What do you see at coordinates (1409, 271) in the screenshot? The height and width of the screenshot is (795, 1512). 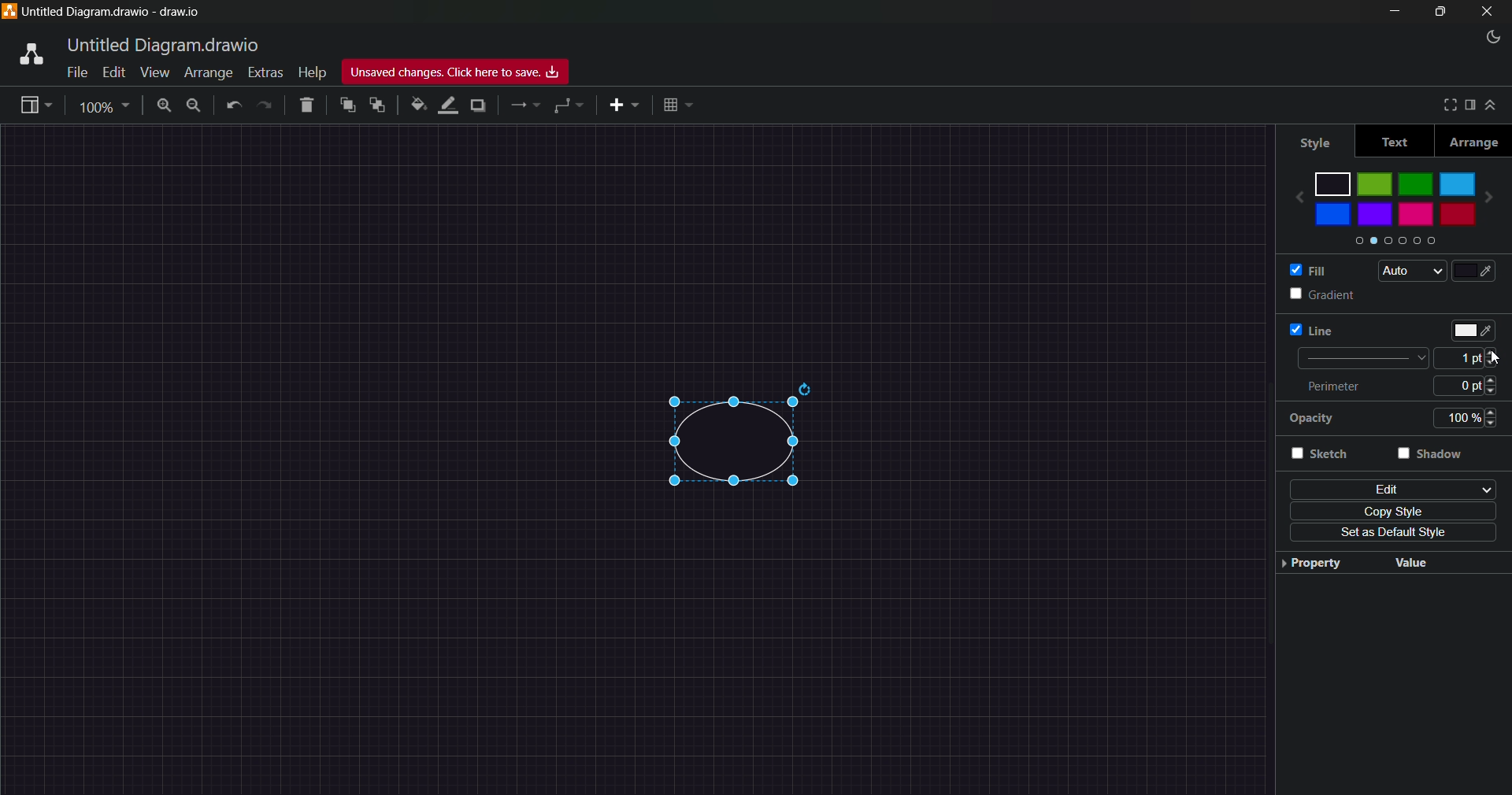 I see `fill type` at bounding box center [1409, 271].